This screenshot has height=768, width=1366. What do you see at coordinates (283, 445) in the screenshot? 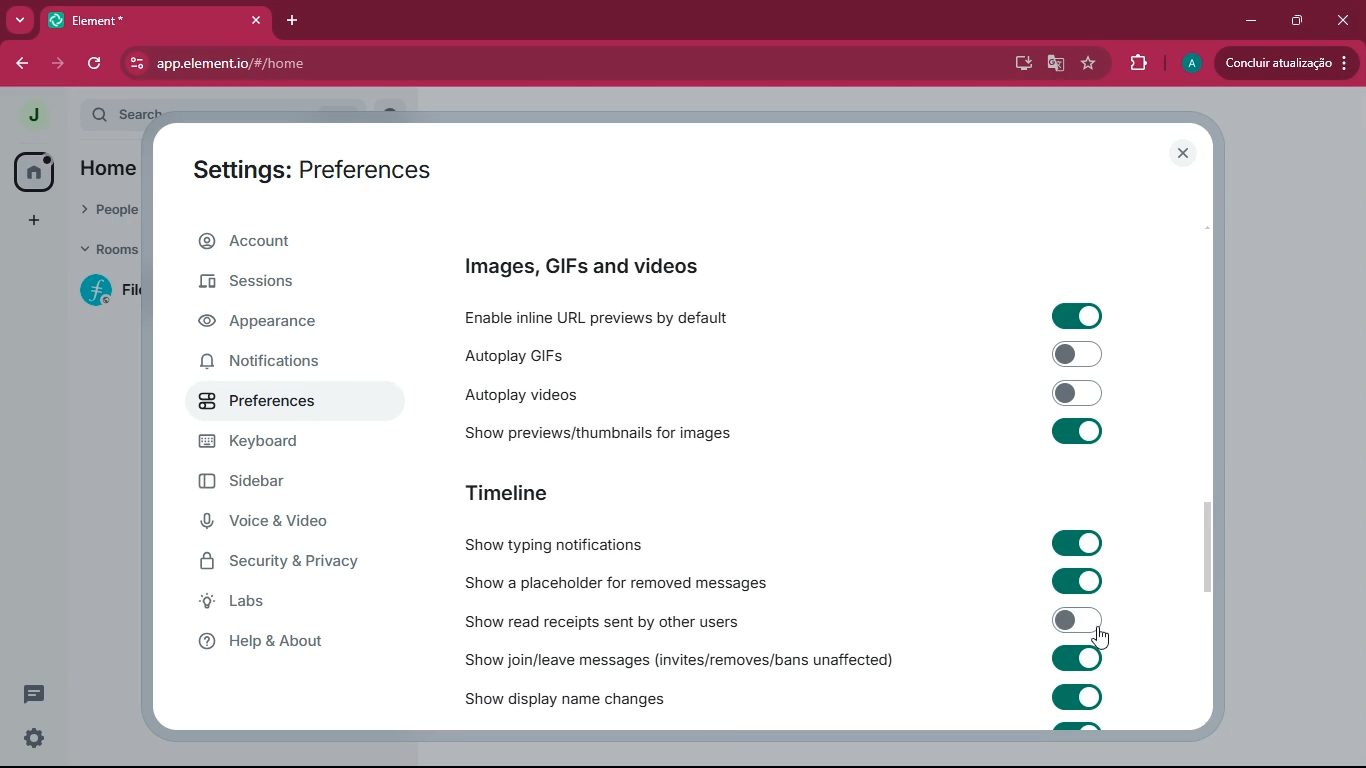
I see `keyboard` at bounding box center [283, 445].